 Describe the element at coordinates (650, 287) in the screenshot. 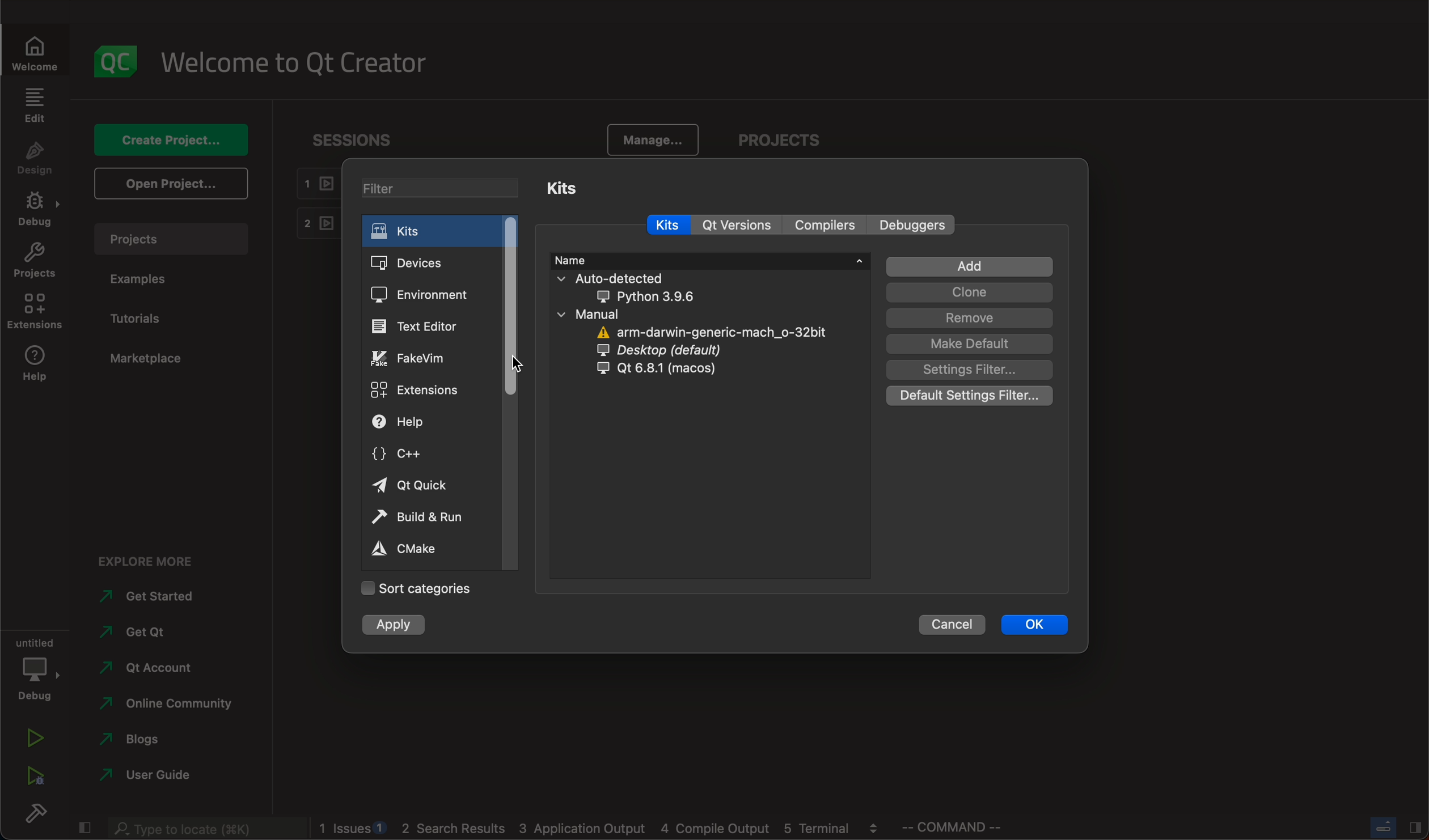

I see `auto detected` at that location.